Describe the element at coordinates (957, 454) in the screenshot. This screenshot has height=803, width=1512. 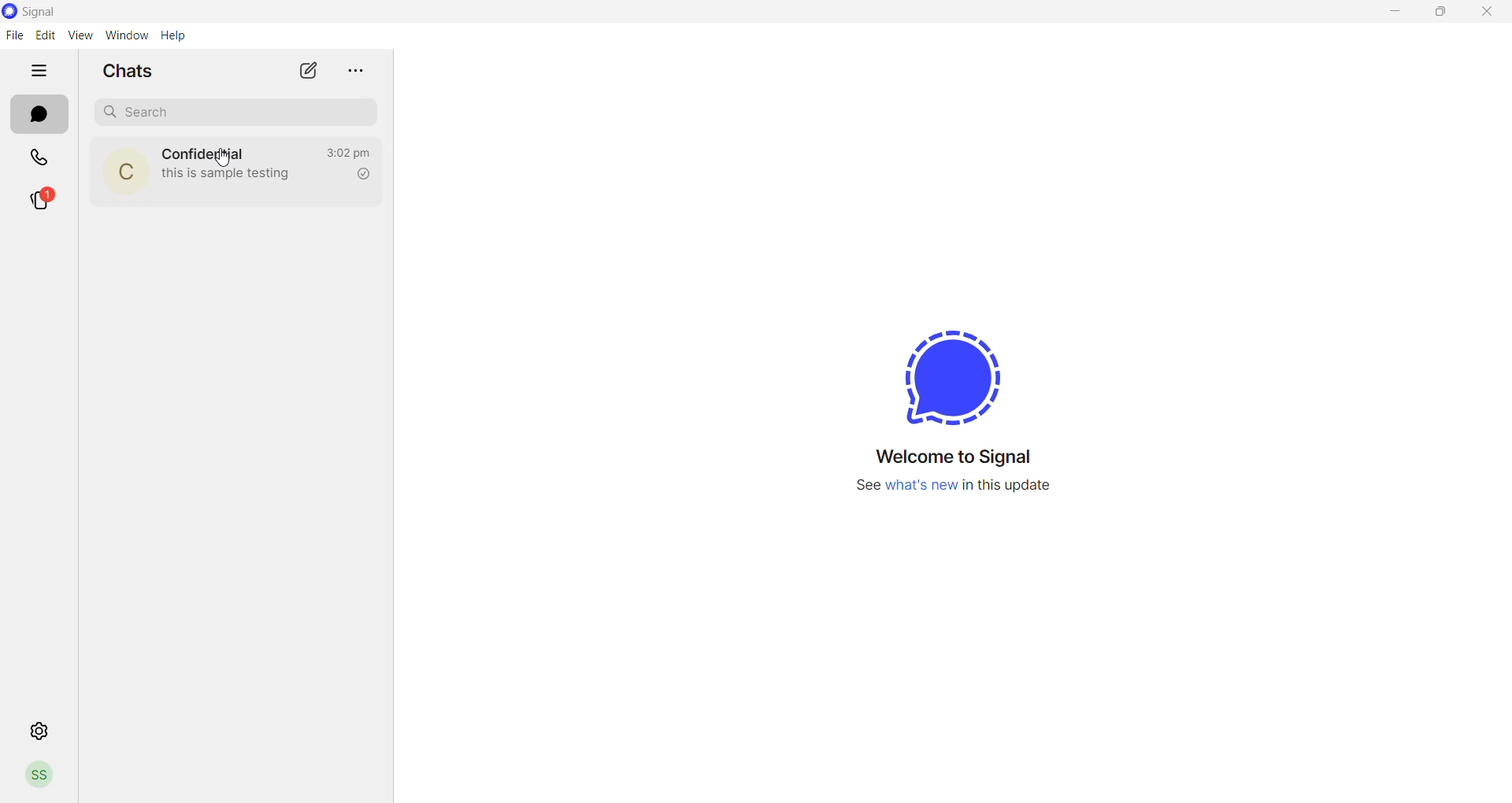
I see `welcome message` at that location.